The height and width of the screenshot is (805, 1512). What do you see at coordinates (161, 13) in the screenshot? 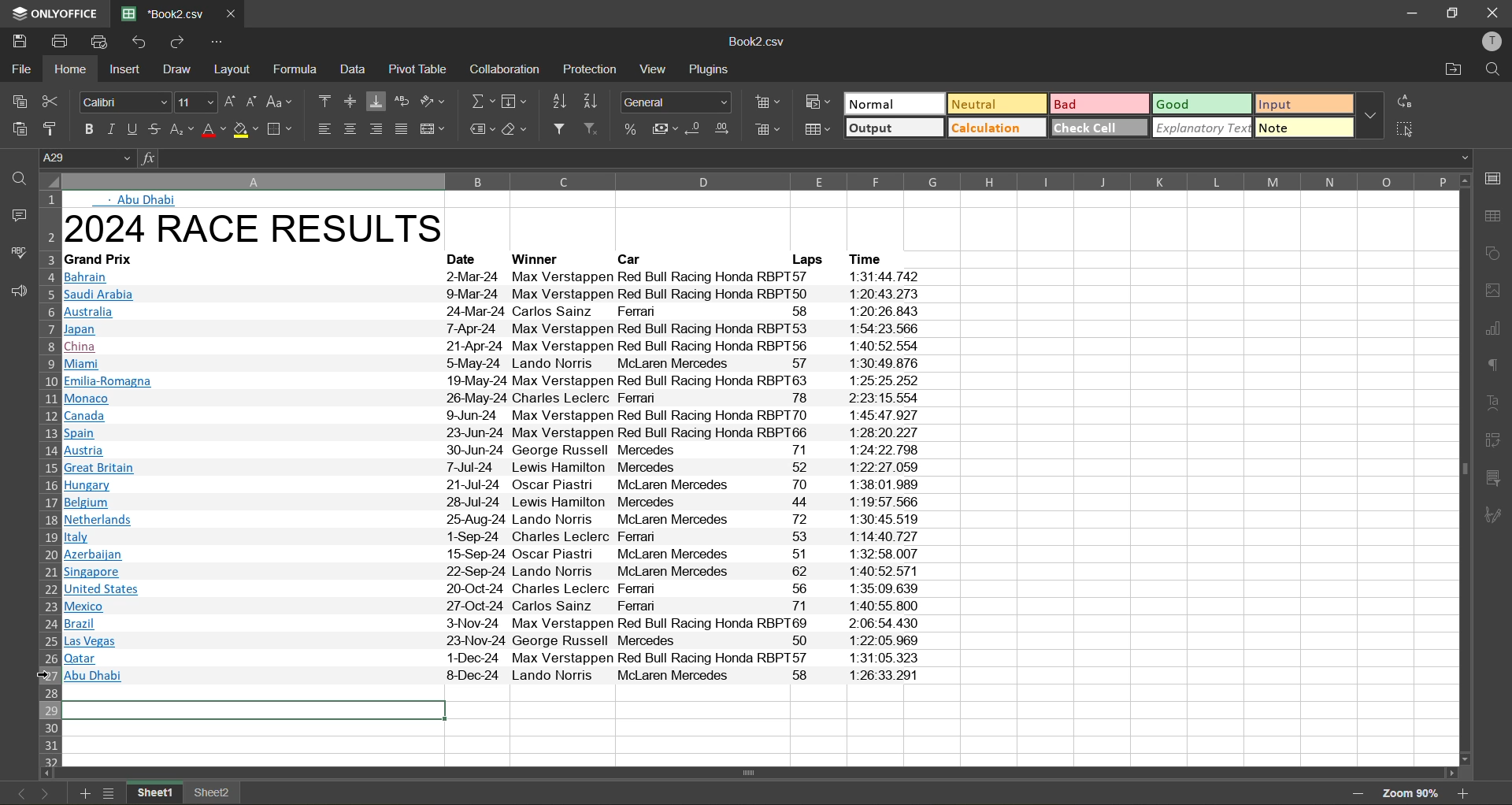
I see `filename` at bounding box center [161, 13].